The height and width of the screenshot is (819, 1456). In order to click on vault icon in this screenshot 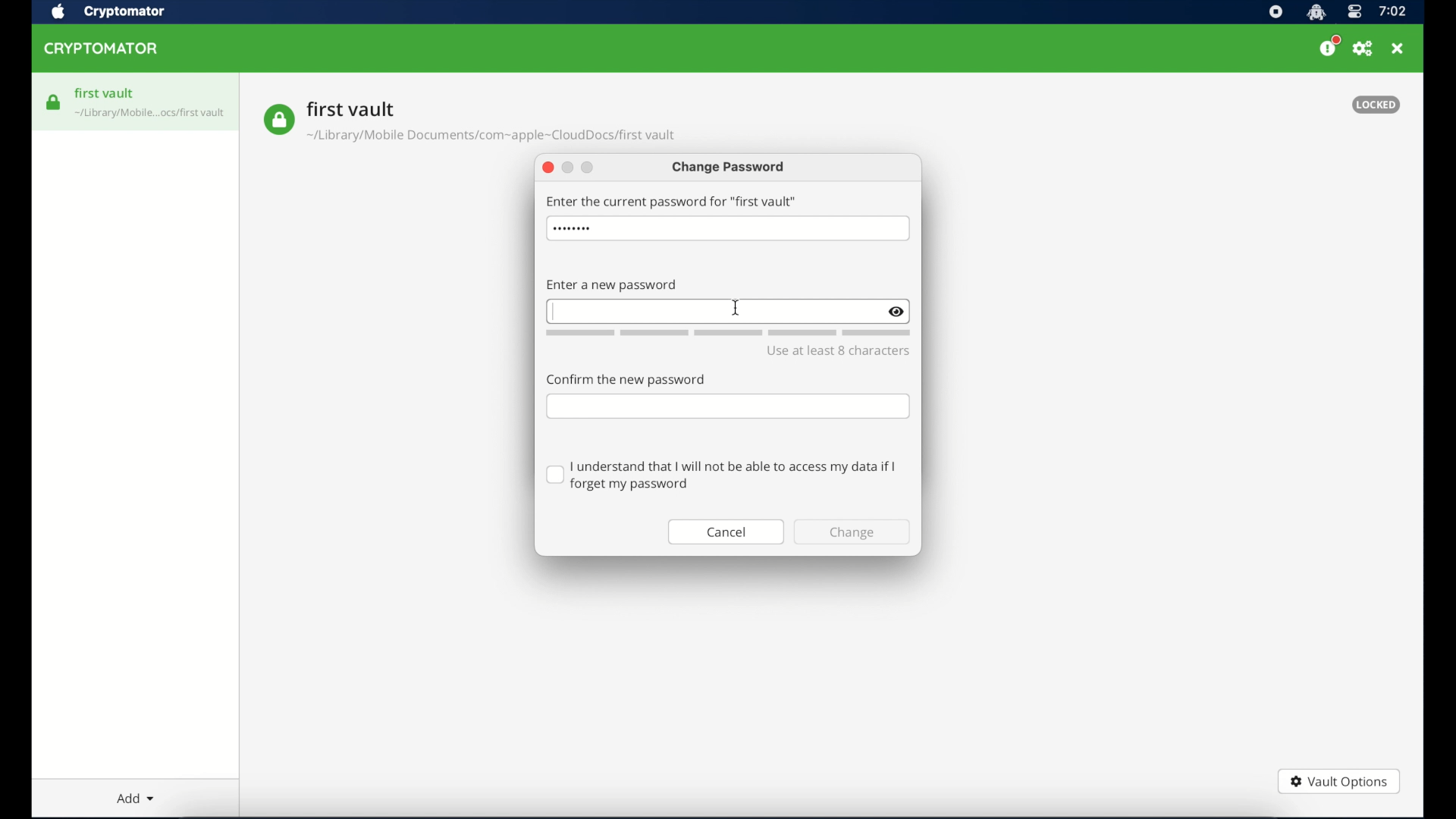, I will do `click(54, 102)`.